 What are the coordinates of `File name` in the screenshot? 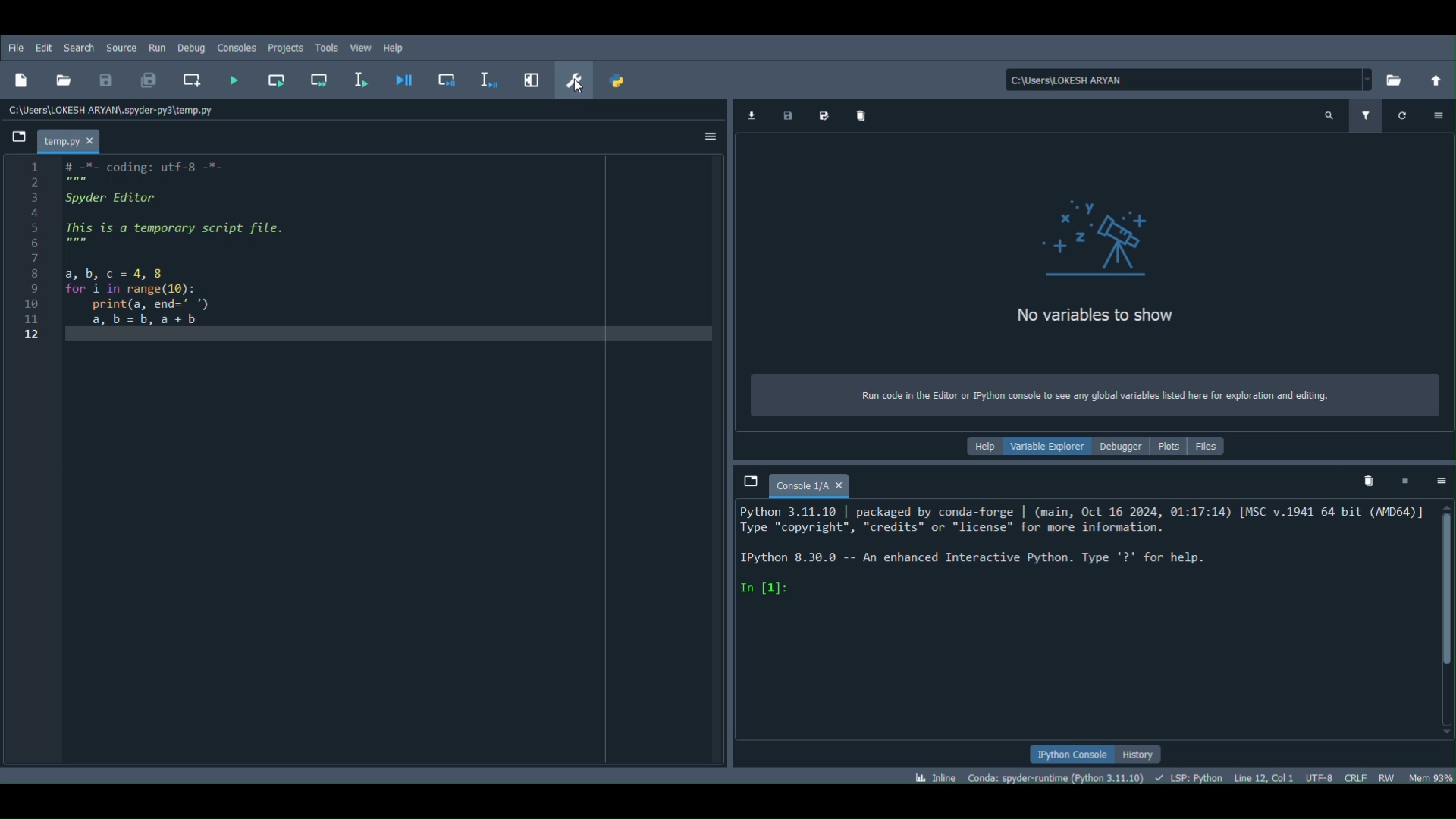 It's located at (71, 140).